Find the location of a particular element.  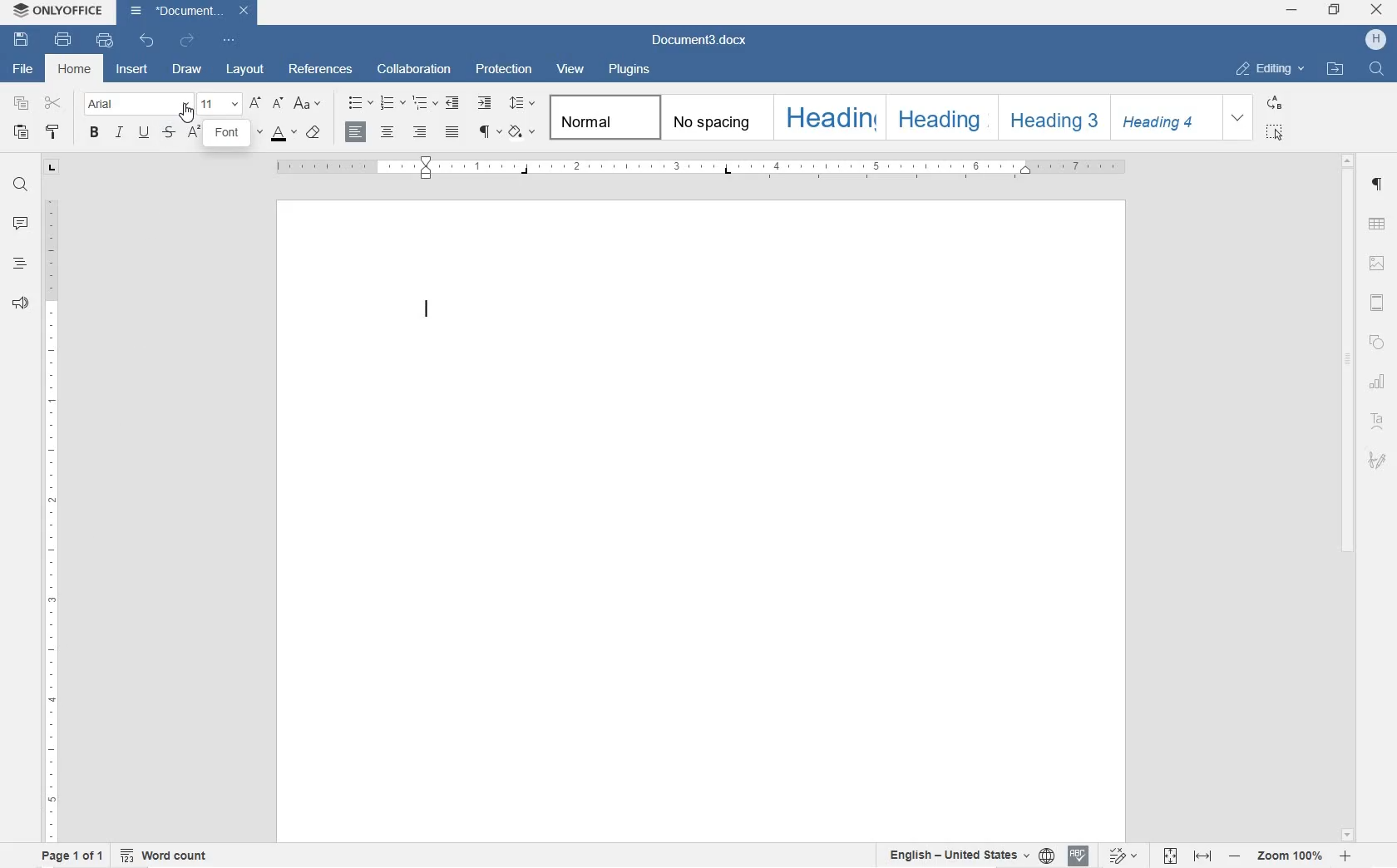

FEEDBACK & SUPPORT is located at coordinates (22, 303).